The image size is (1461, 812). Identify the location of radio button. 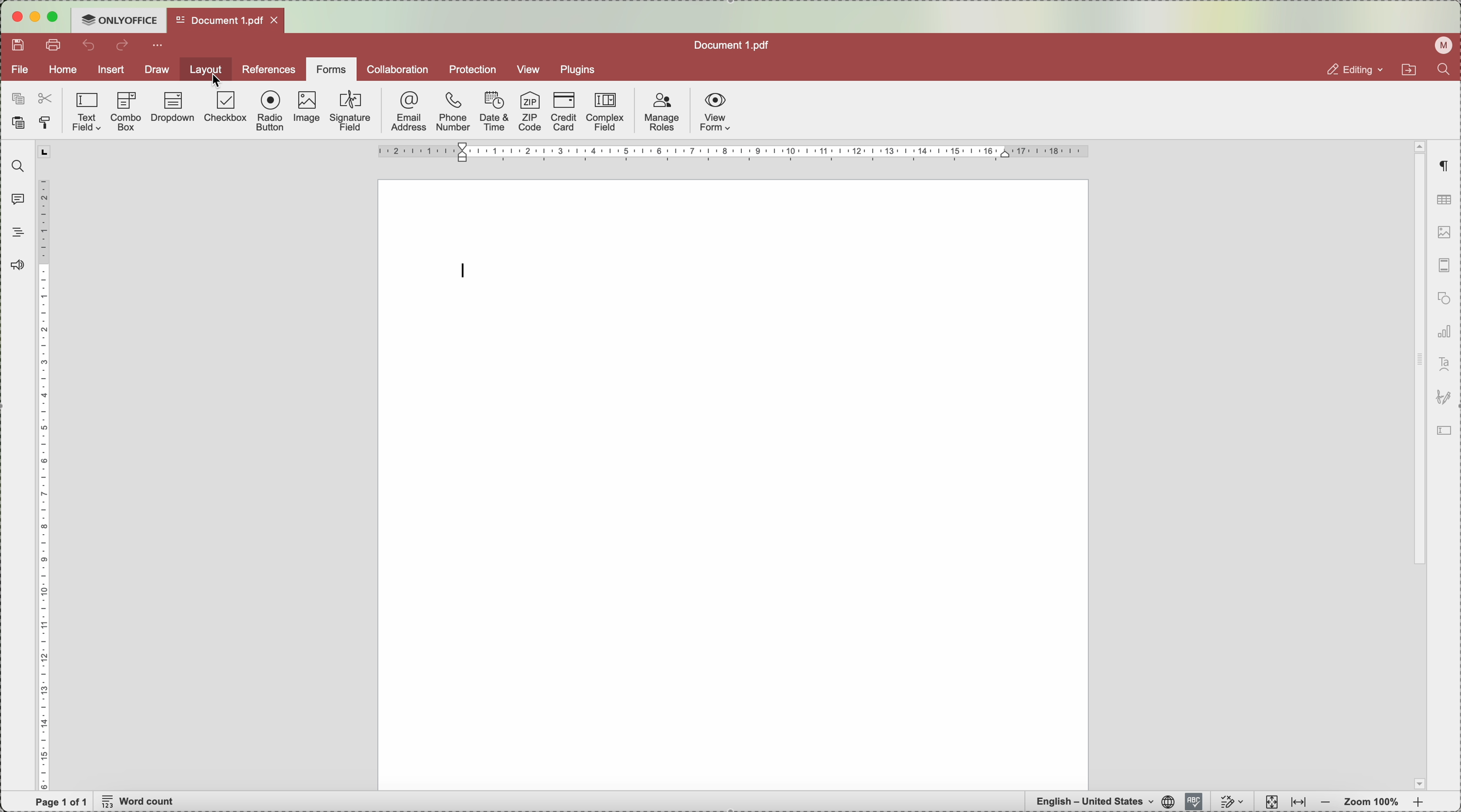
(269, 112).